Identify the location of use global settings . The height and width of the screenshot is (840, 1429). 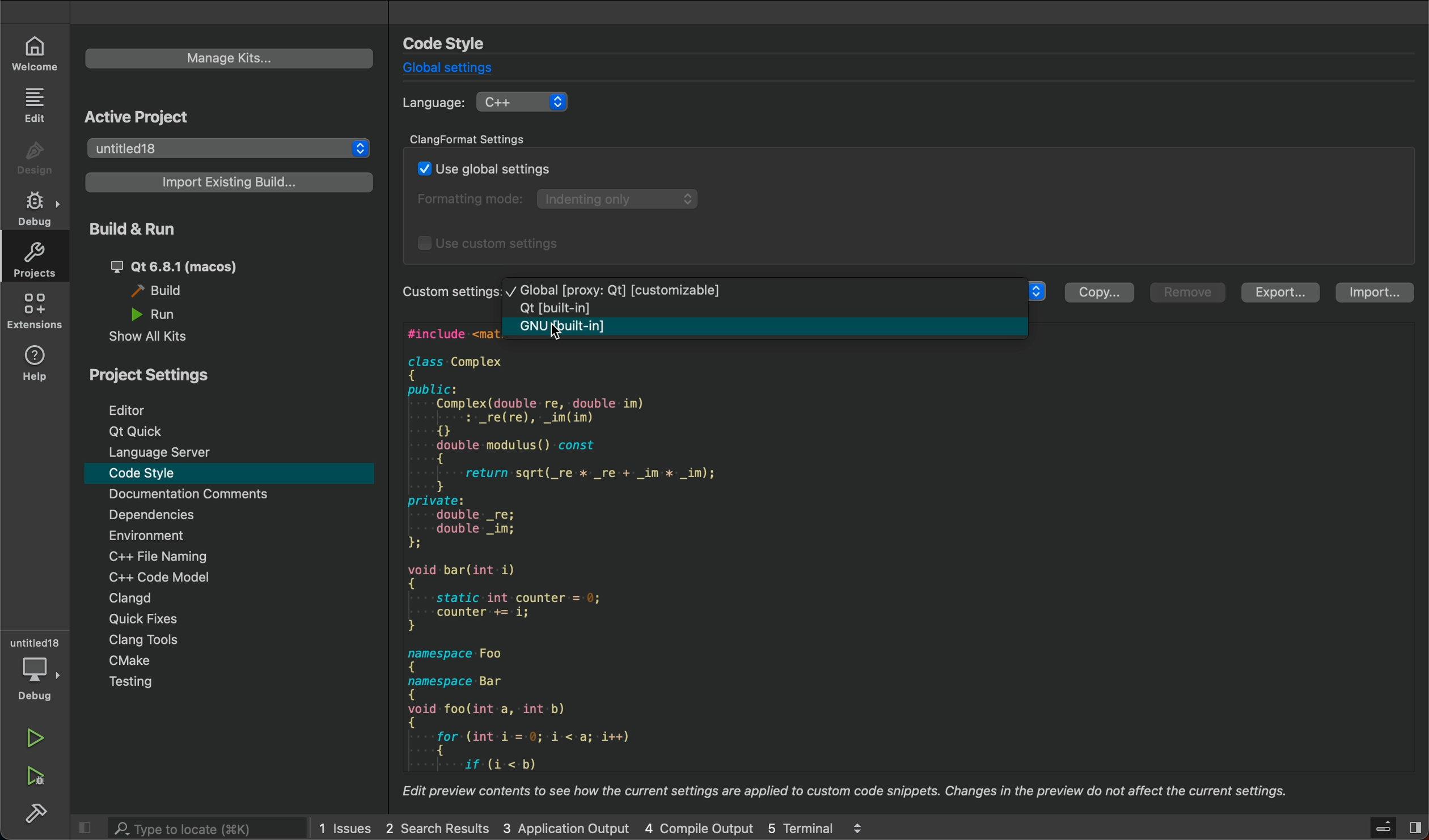
(485, 166).